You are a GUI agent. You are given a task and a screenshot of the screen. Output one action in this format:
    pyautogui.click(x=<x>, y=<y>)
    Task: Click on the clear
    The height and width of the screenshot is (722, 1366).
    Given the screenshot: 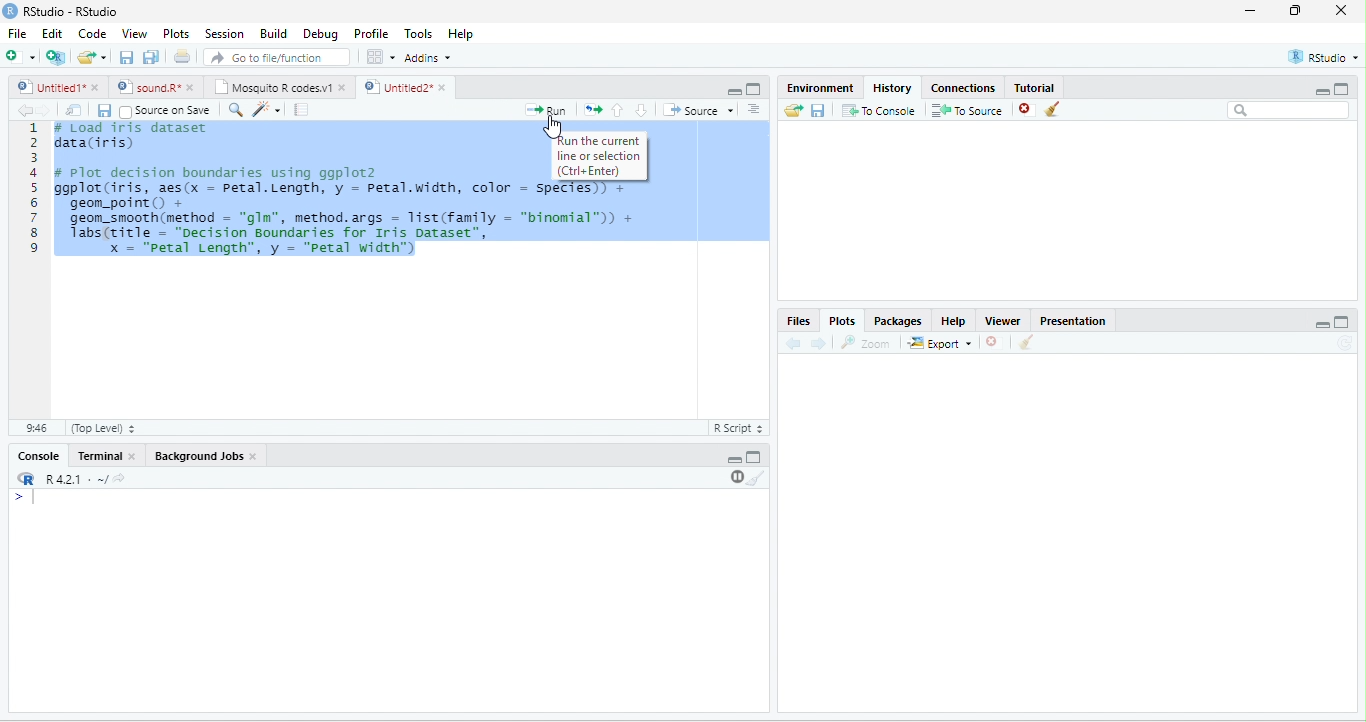 What is the action you would take?
    pyautogui.click(x=1027, y=342)
    